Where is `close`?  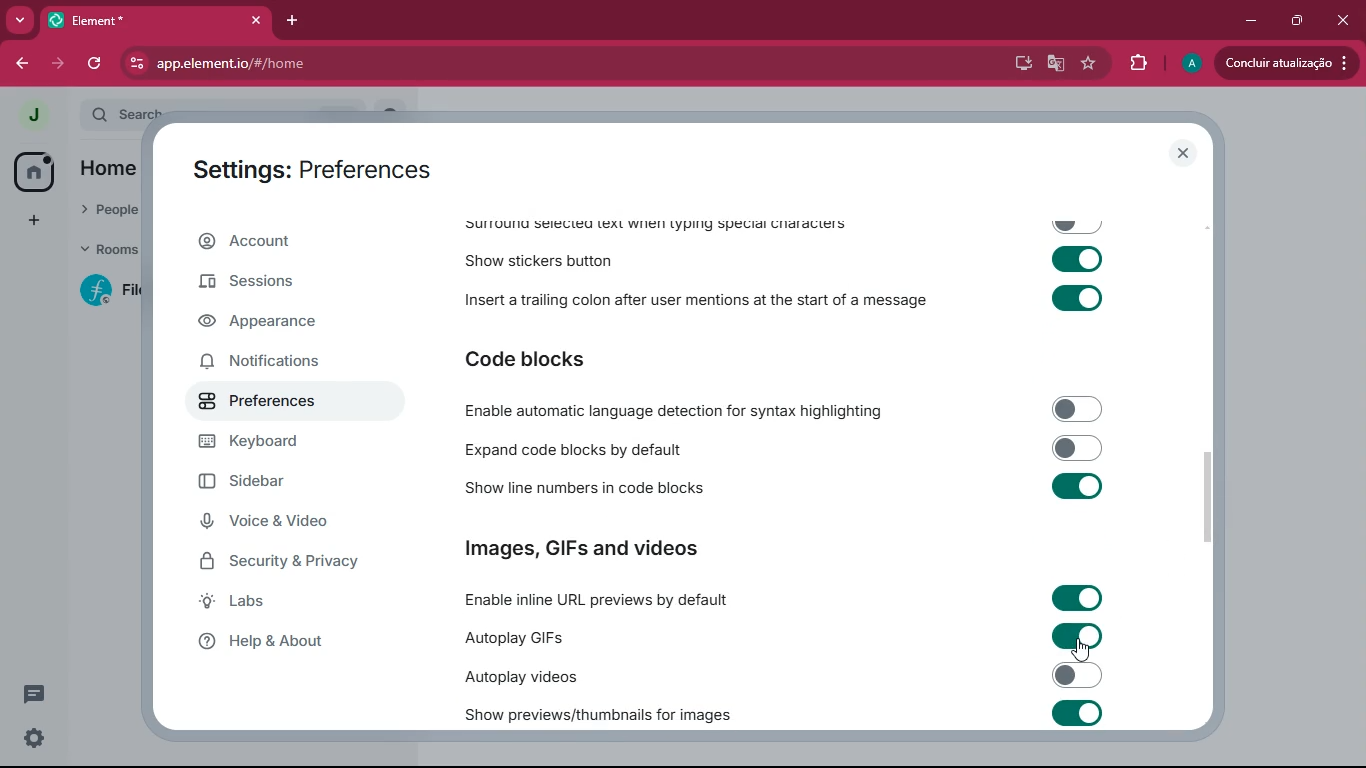 close is located at coordinates (1183, 153).